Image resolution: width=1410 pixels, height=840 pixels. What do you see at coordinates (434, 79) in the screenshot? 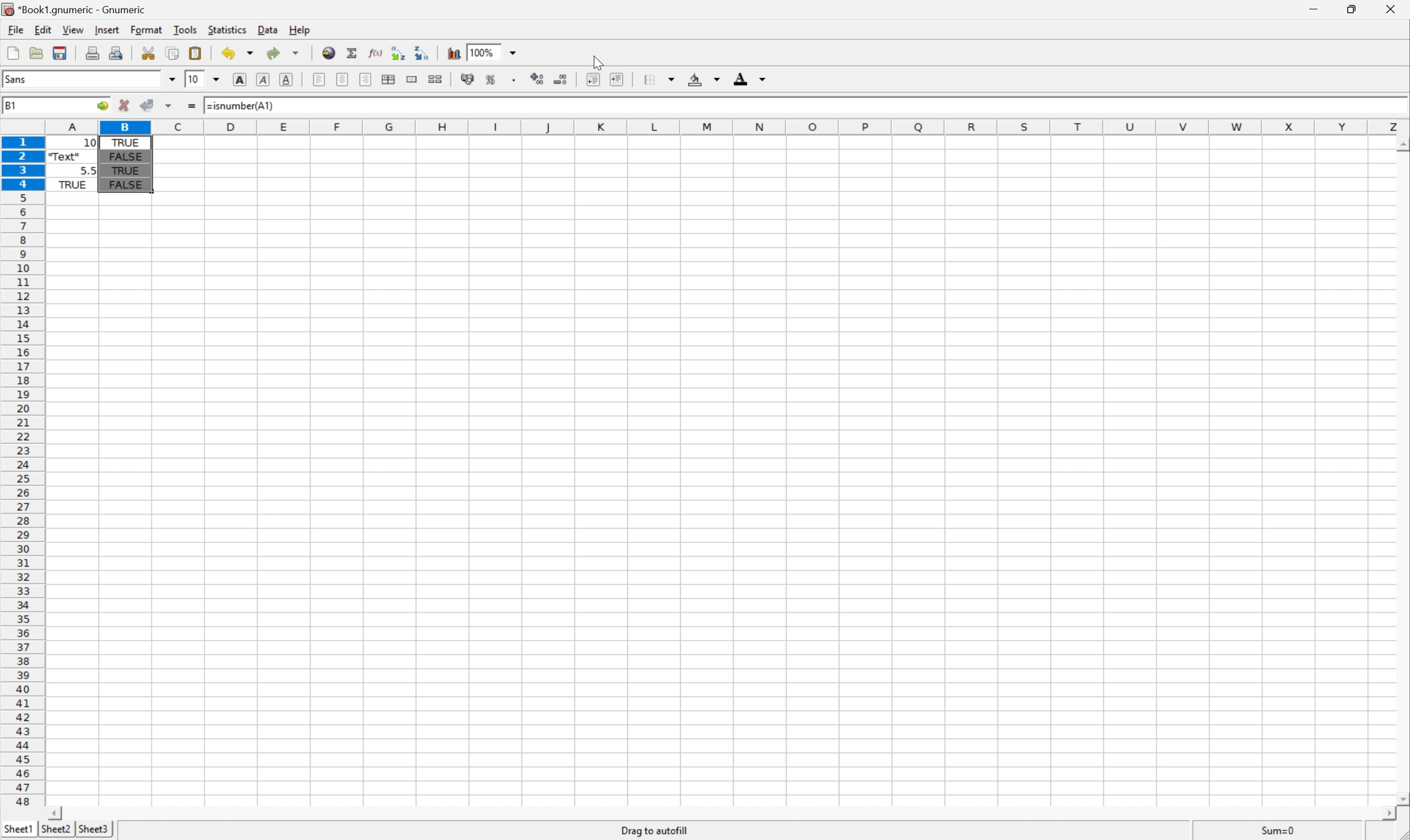
I see `Split Ranges of merged cells` at bounding box center [434, 79].